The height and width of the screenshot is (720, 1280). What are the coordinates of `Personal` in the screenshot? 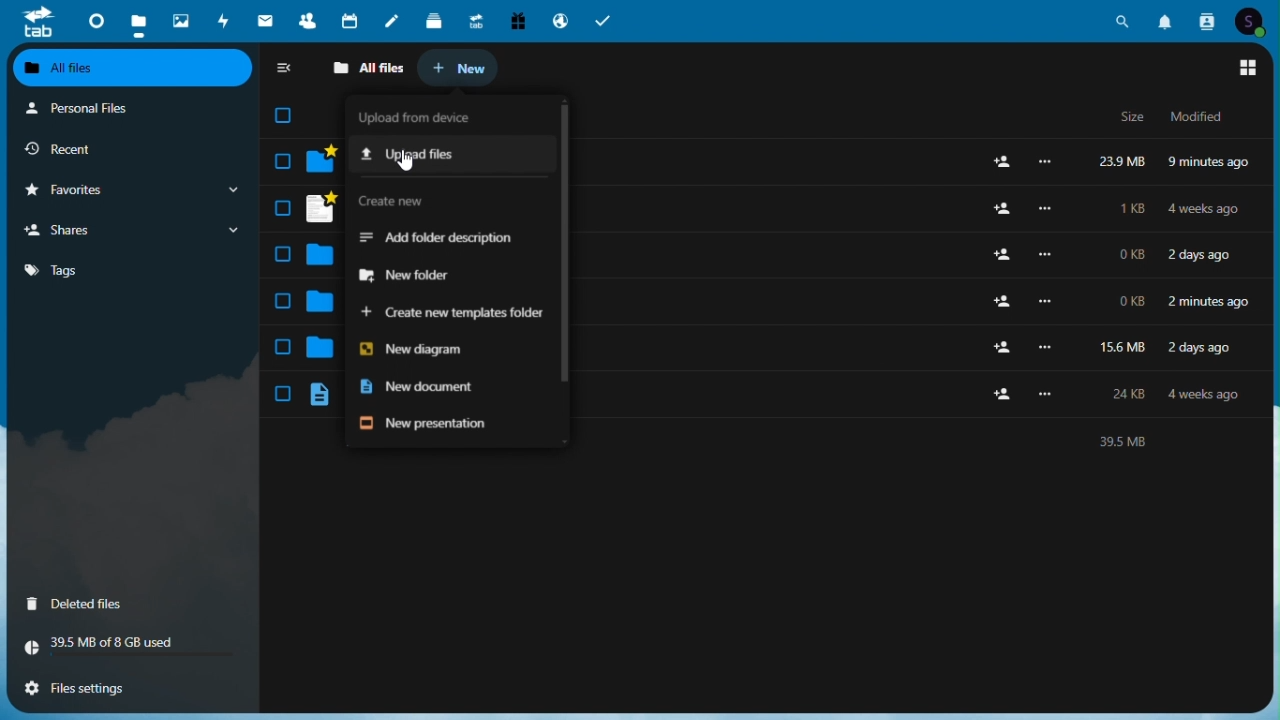 It's located at (127, 108).